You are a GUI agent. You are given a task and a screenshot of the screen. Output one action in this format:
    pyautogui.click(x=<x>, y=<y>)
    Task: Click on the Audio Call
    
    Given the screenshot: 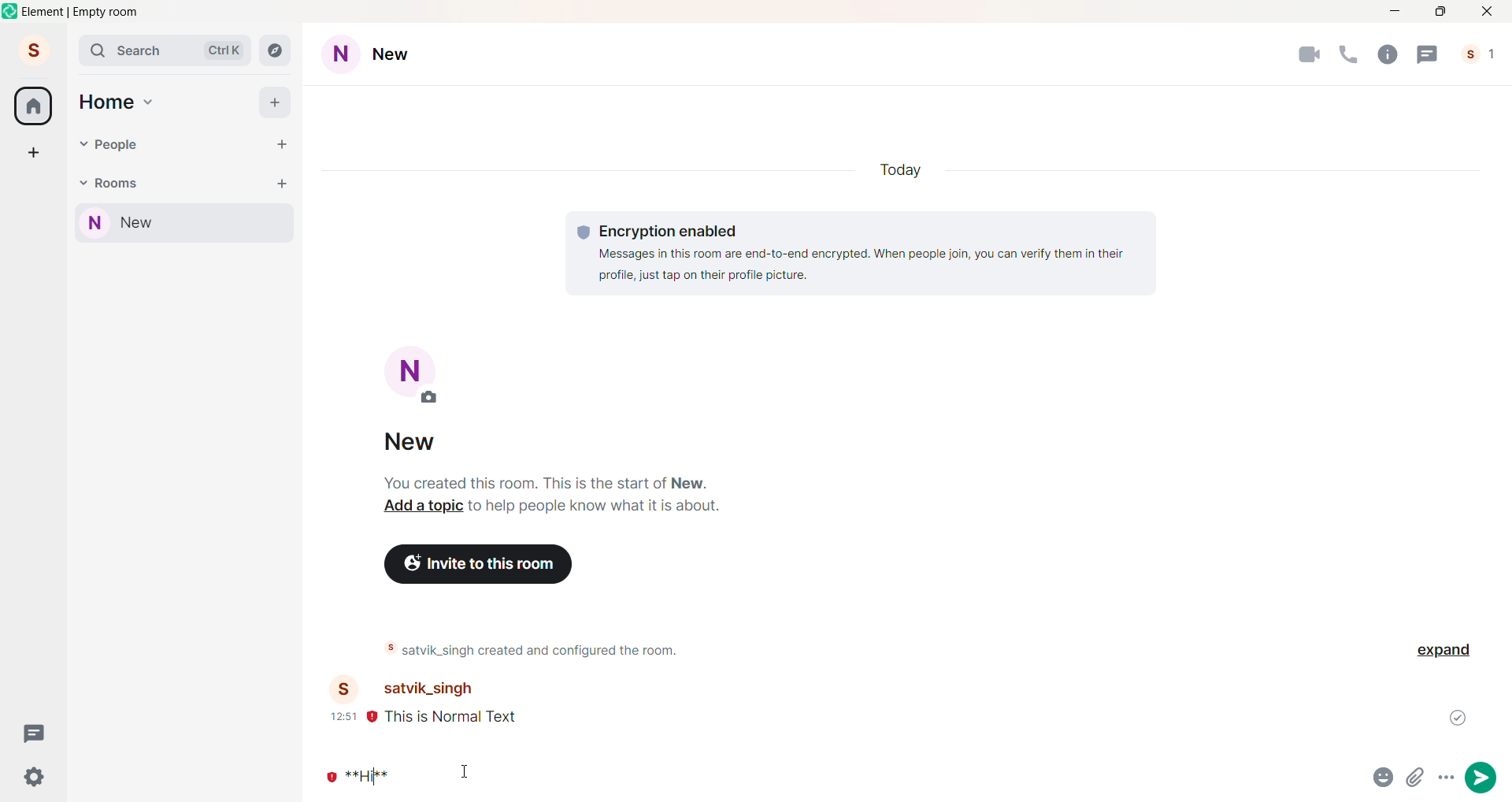 What is the action you would take?
    pyautogui.click(x=1346, y=54)
    